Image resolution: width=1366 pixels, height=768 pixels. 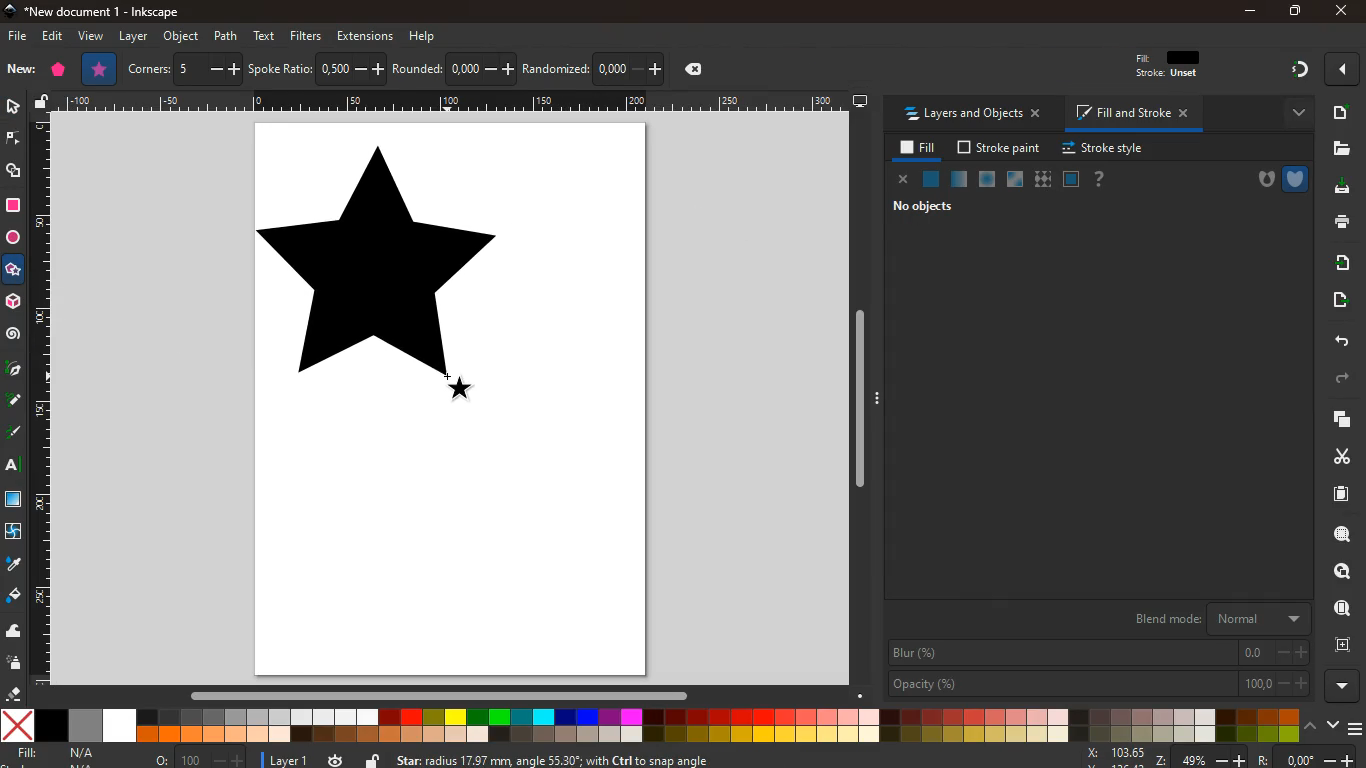 What do you see at coordinates (131, 37) in the screenshot?
I see `layer` at bounding box center [131, 37].